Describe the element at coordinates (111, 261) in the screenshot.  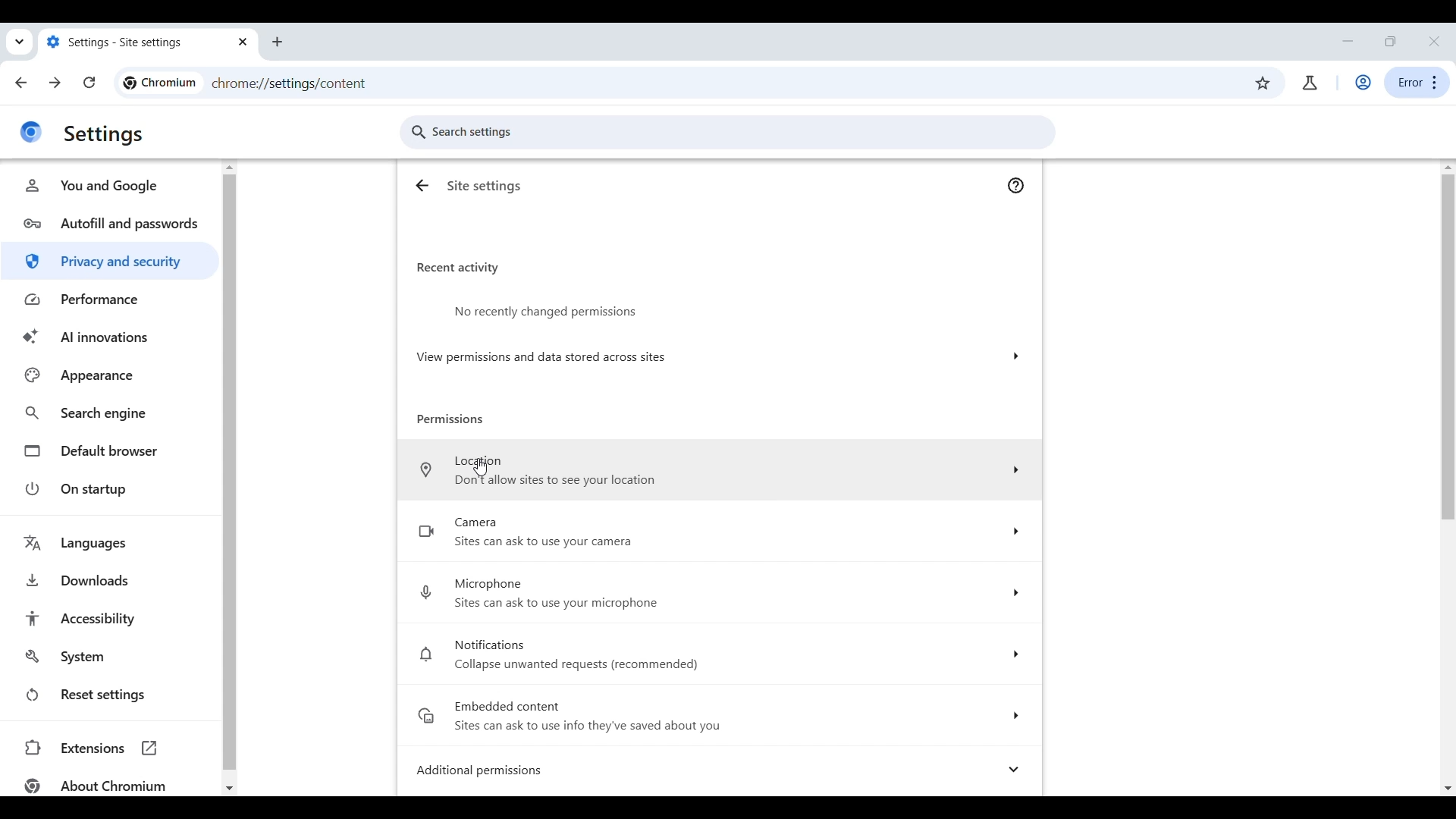
I see `Privacy and security highlighted` at that location.